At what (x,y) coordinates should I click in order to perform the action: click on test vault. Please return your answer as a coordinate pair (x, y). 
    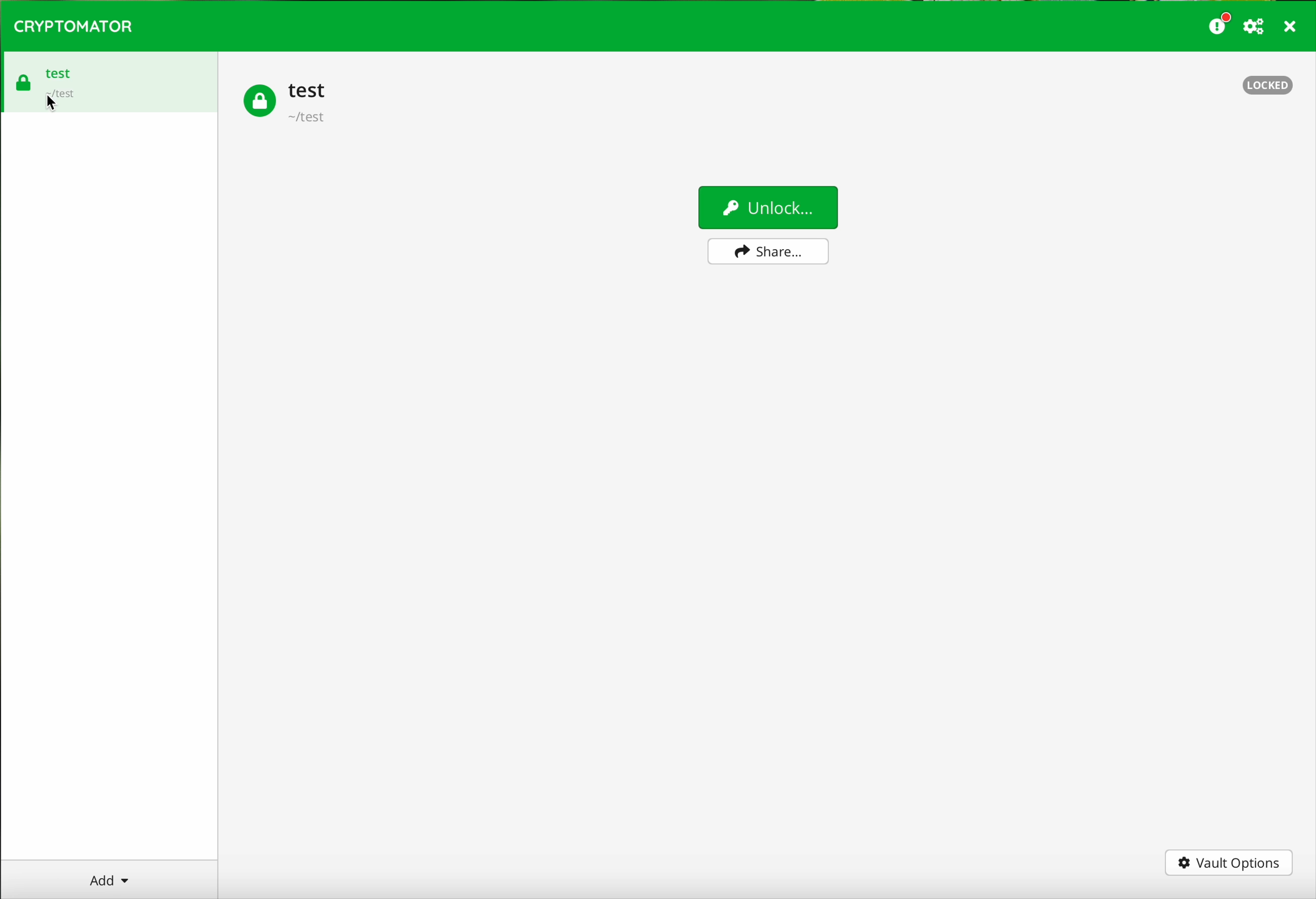
    Looking at the image, I should click on (109, 80).